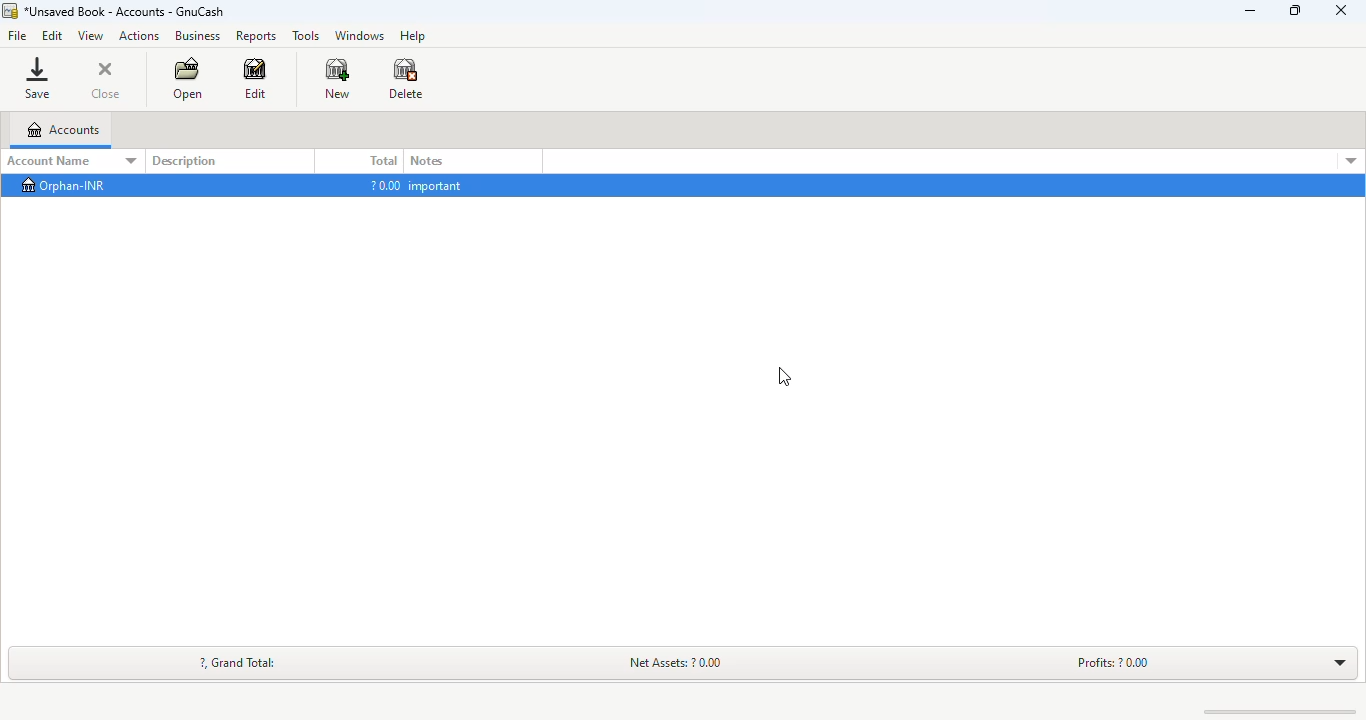 This screenshot has width=1366, height=720. I want to click on open, so click(188, 79).